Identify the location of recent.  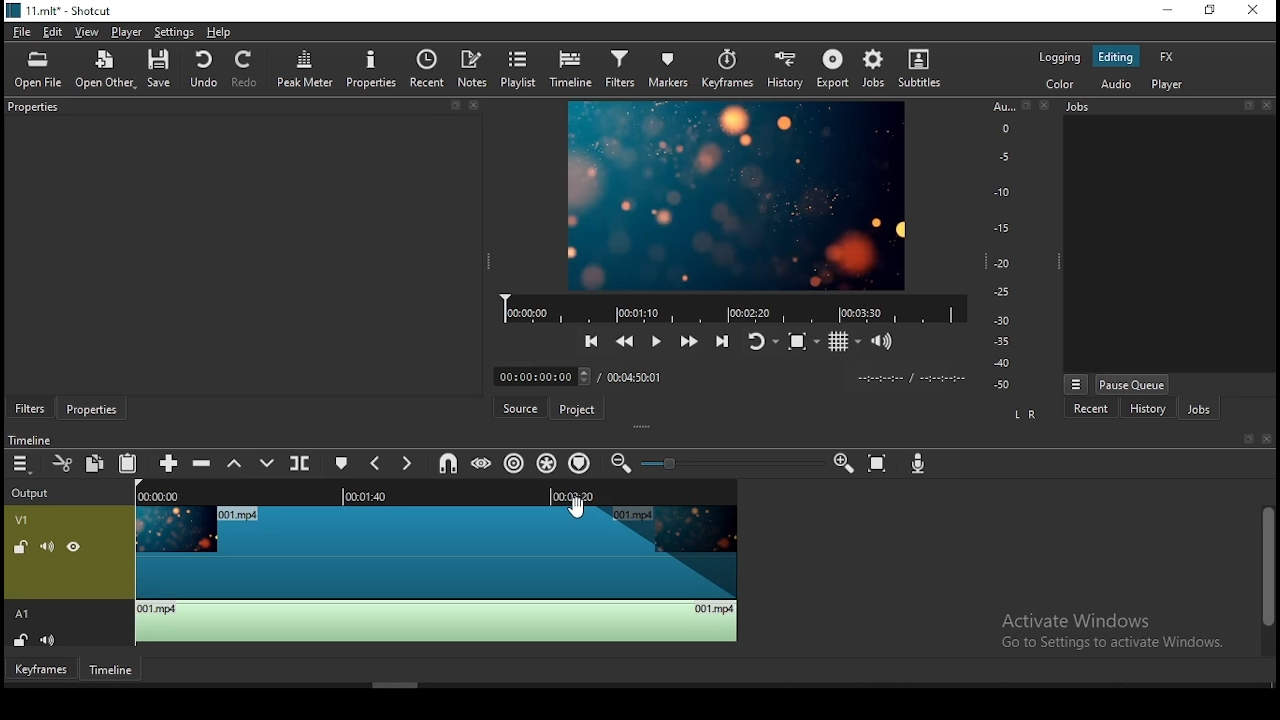
(429, 70).